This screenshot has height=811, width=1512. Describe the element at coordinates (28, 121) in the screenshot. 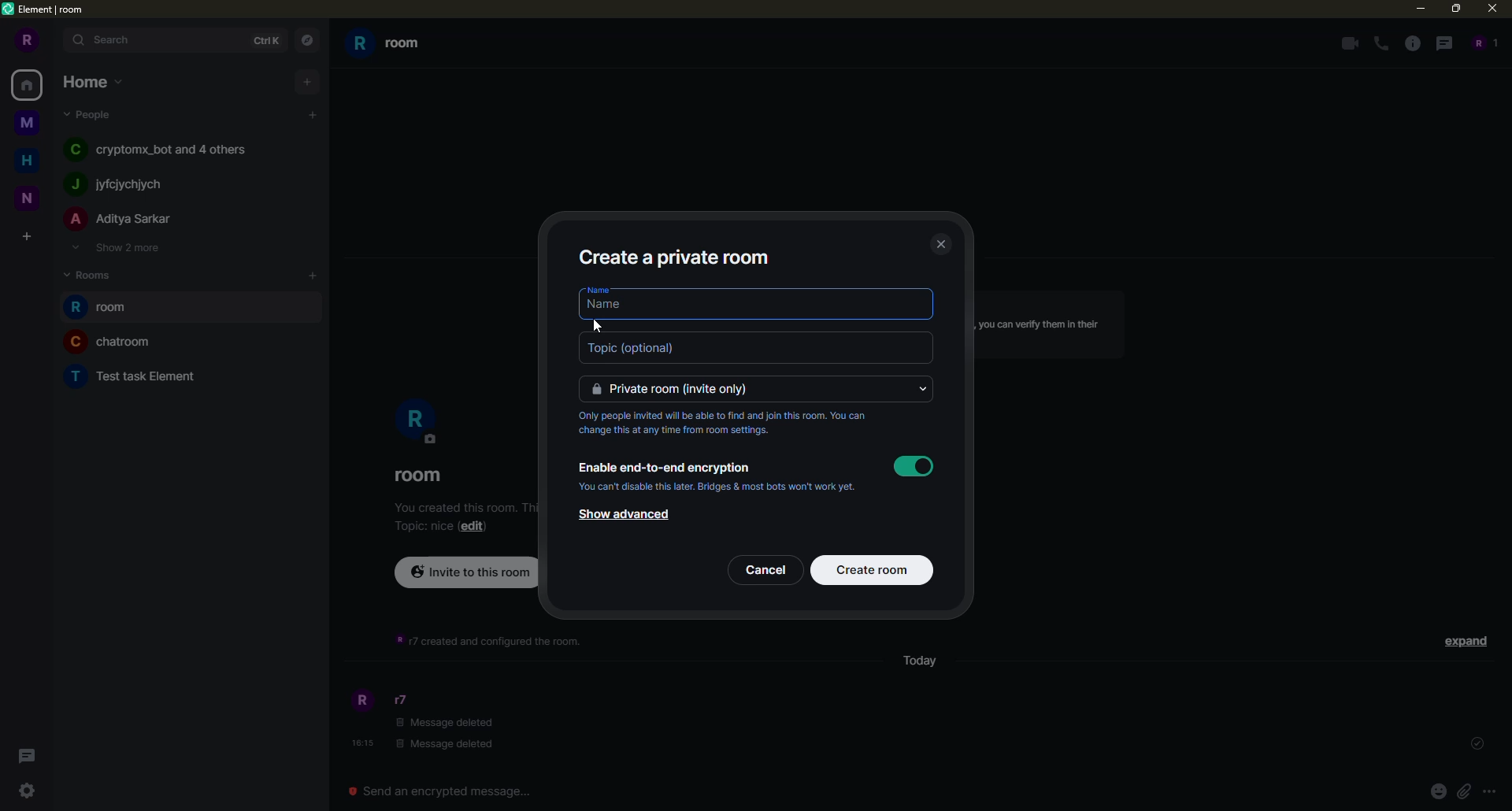

I see `space` at that location.